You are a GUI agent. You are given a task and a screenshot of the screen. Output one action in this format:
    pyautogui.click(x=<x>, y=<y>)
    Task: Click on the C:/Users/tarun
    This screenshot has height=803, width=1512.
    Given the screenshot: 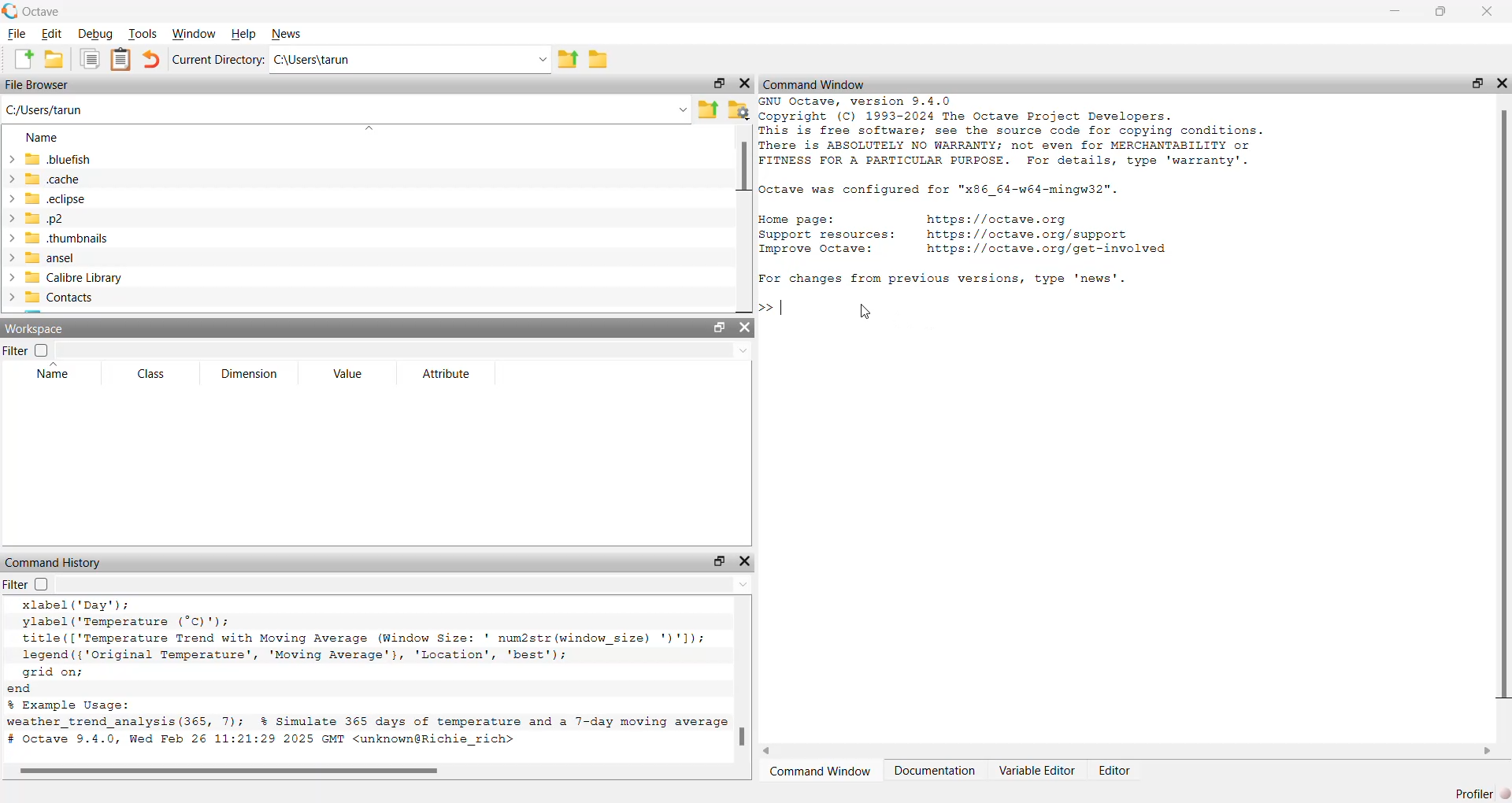 What is the action you would take?
    pyautogui.click(x=64, y=111)
    